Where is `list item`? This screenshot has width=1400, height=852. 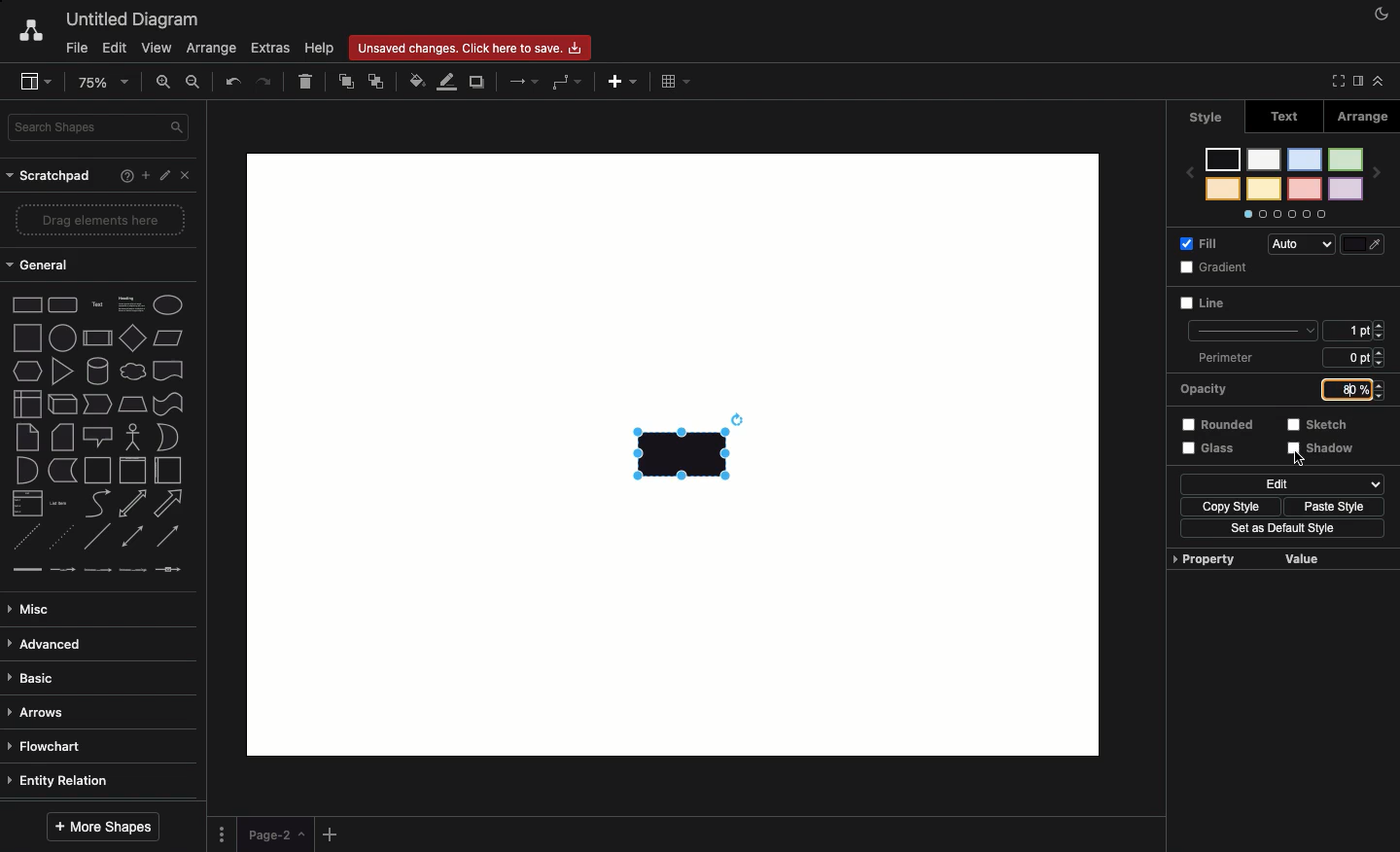 list item is located at coordinates (60, 502).